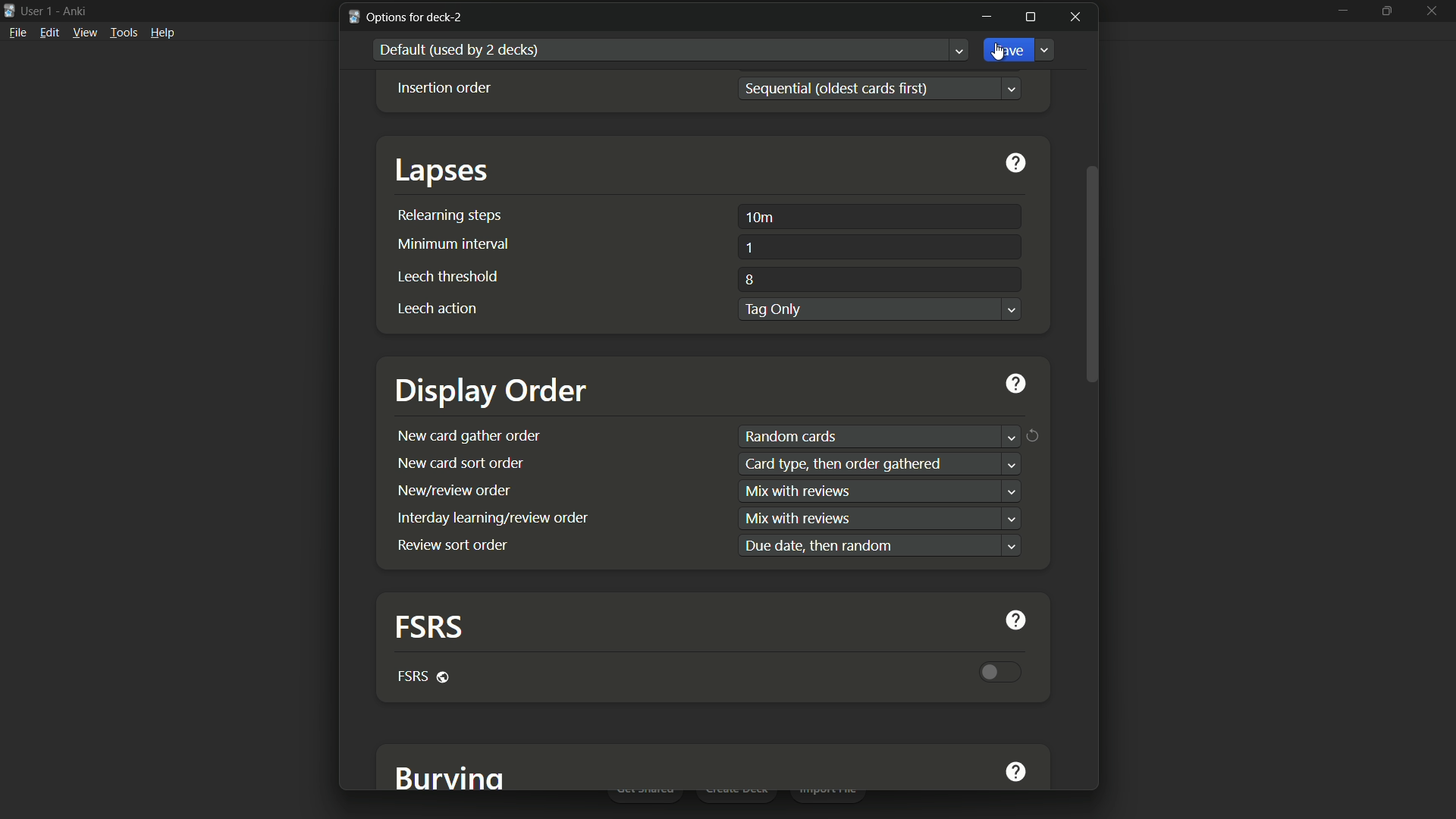  What do you see at coordinates (488, 396) in the screenshot?
I see `display order` at bounding box center [488, 396].